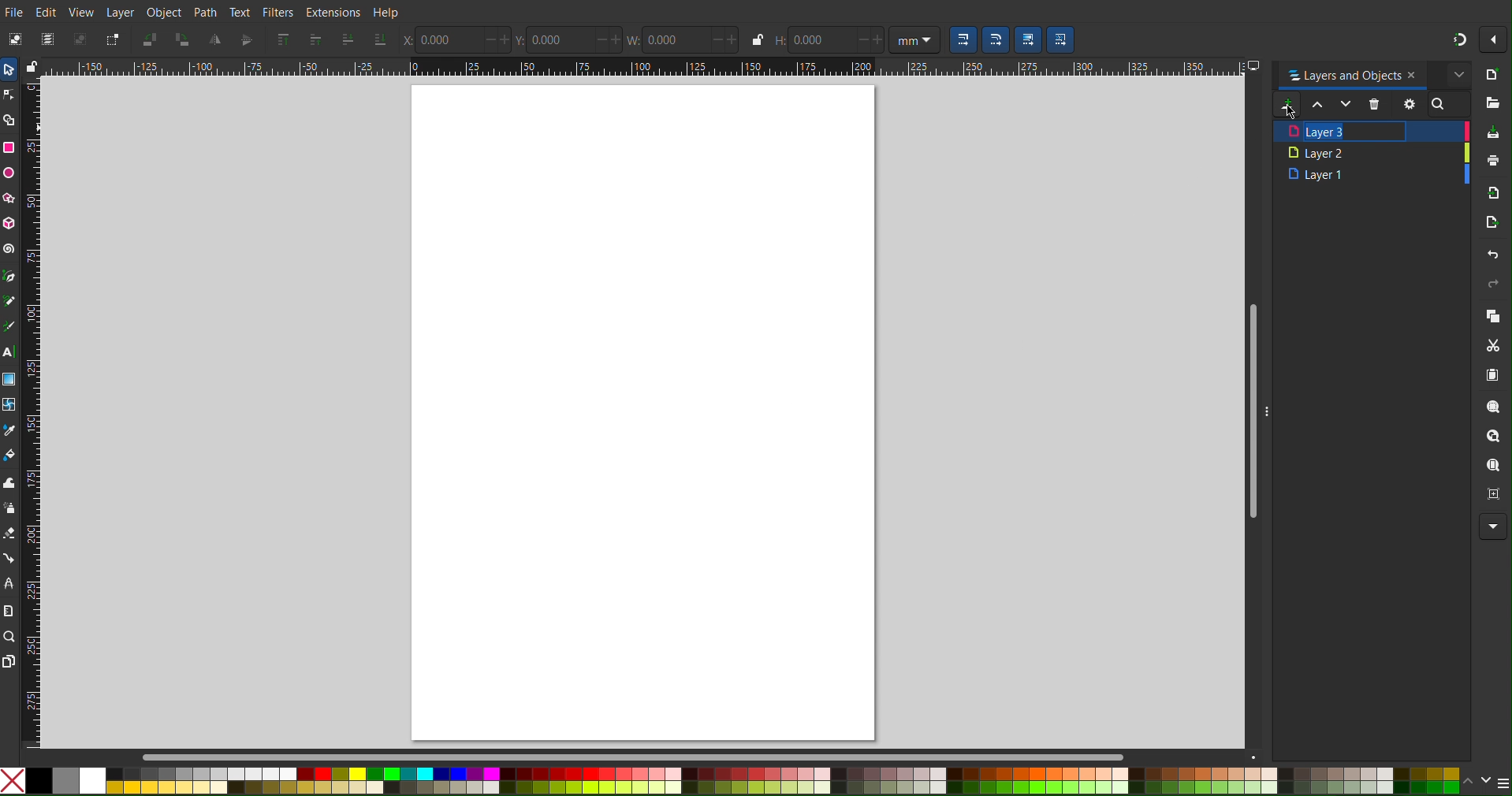 This screenshot has height=796, width=1512. I want to click on LPE Tool, so click(11, 584).